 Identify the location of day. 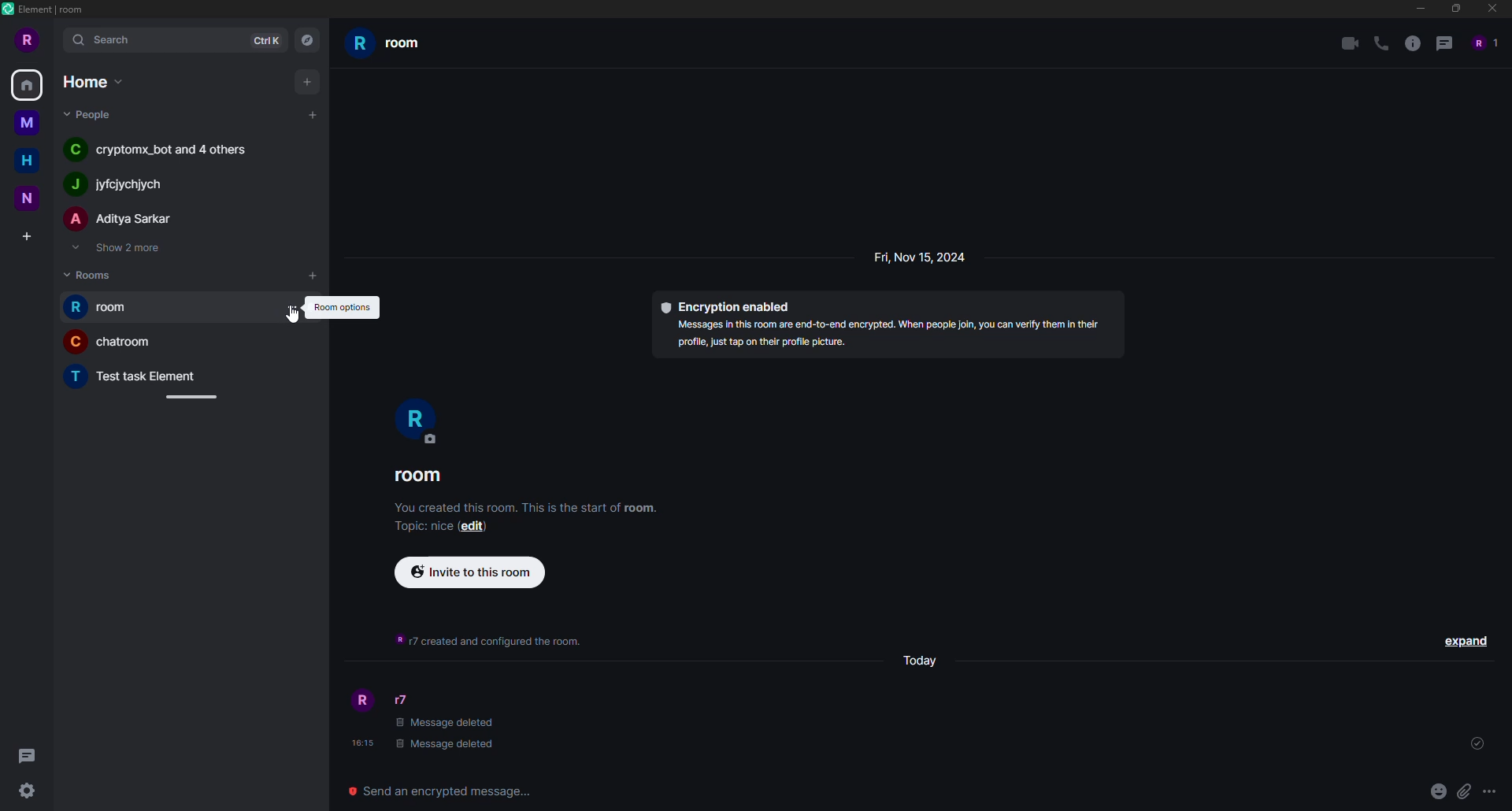
(923, 663).